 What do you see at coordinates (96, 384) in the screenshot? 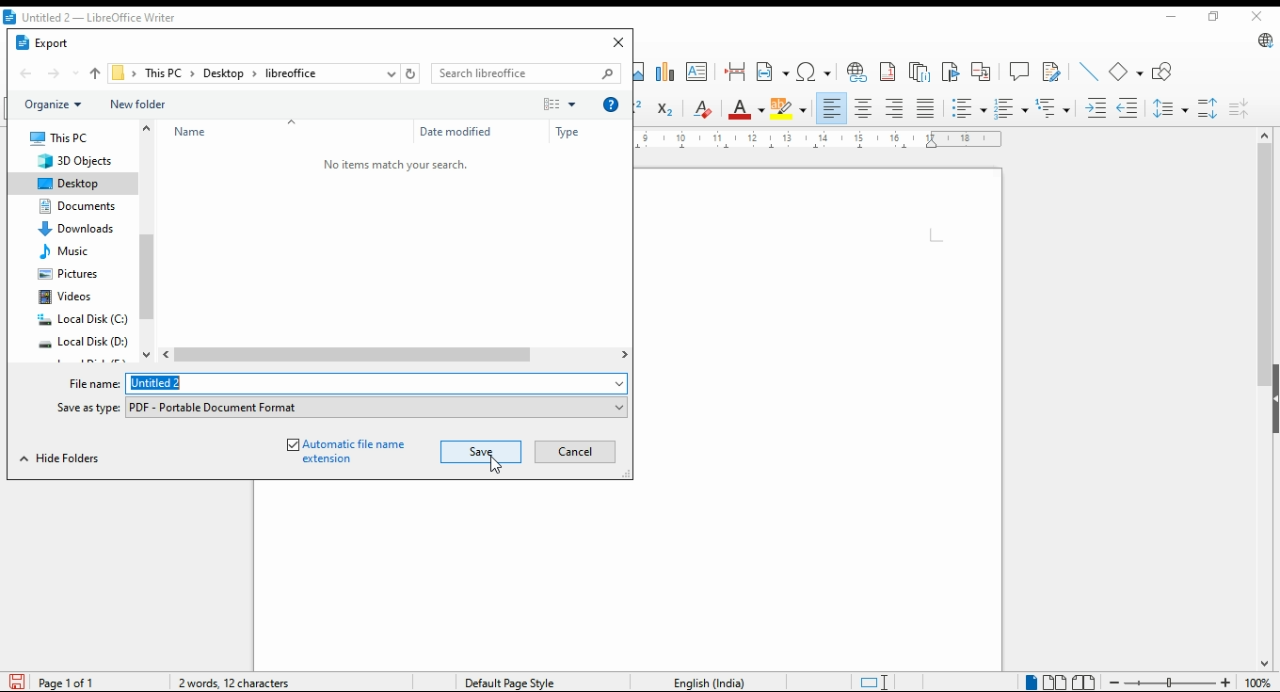
I see `file name` at bounding box center [96, 384].